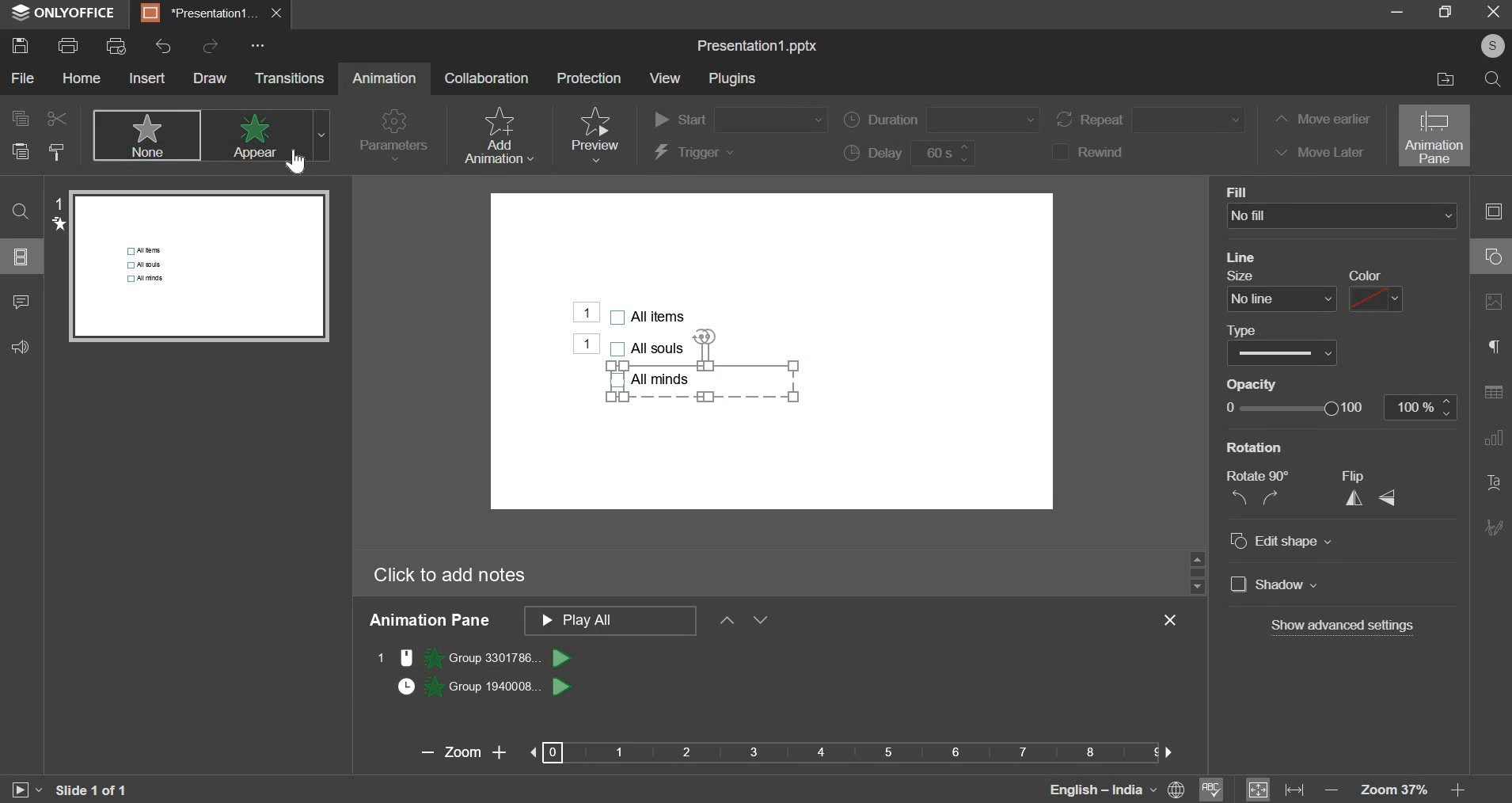 Image resolution: width=1512 pixels, height=803 pixels. Describe the element at coordinates (450, 576) in the screenshot. I see `click to add notes` at that location.